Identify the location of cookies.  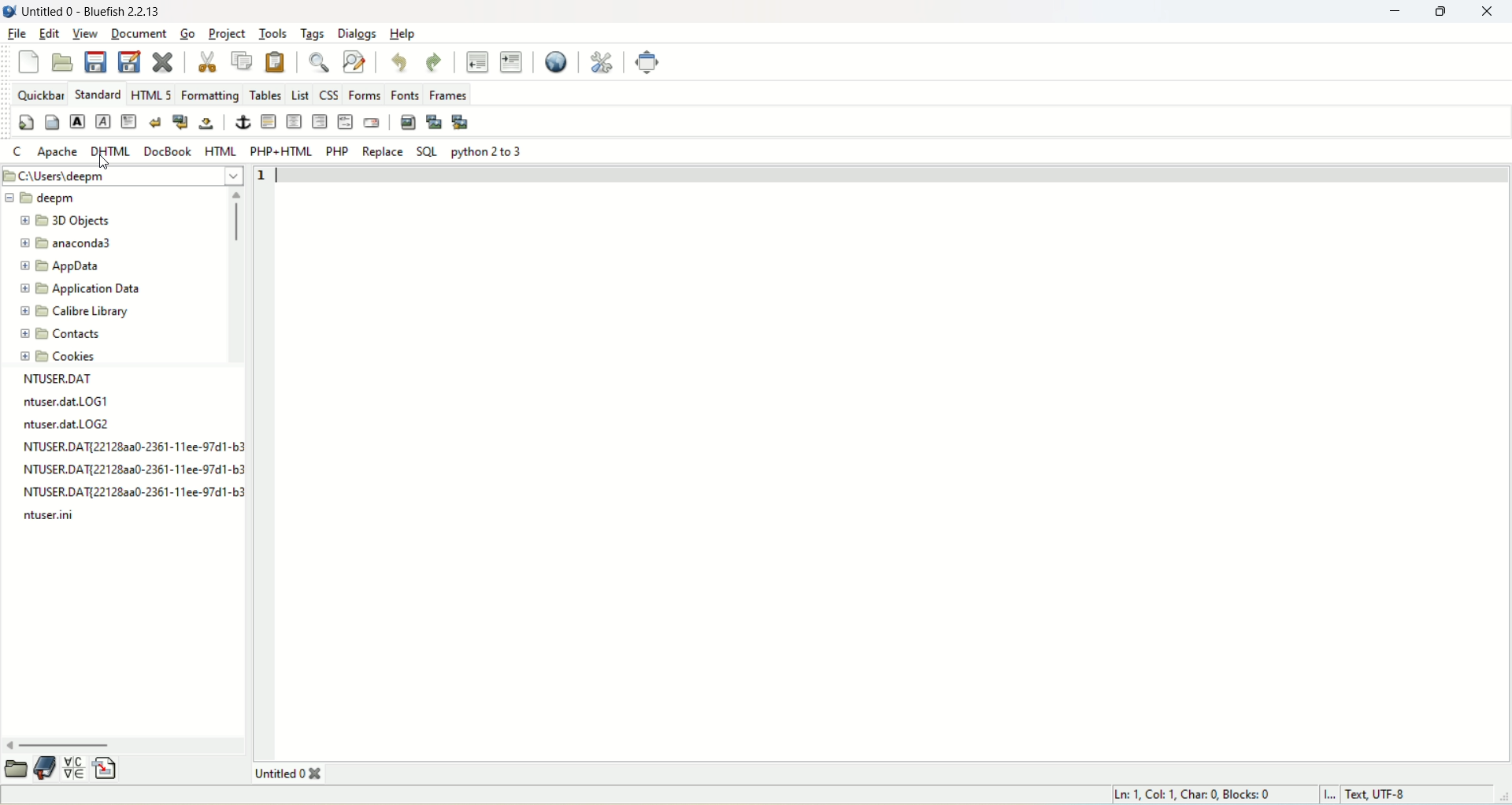
(63, 355).